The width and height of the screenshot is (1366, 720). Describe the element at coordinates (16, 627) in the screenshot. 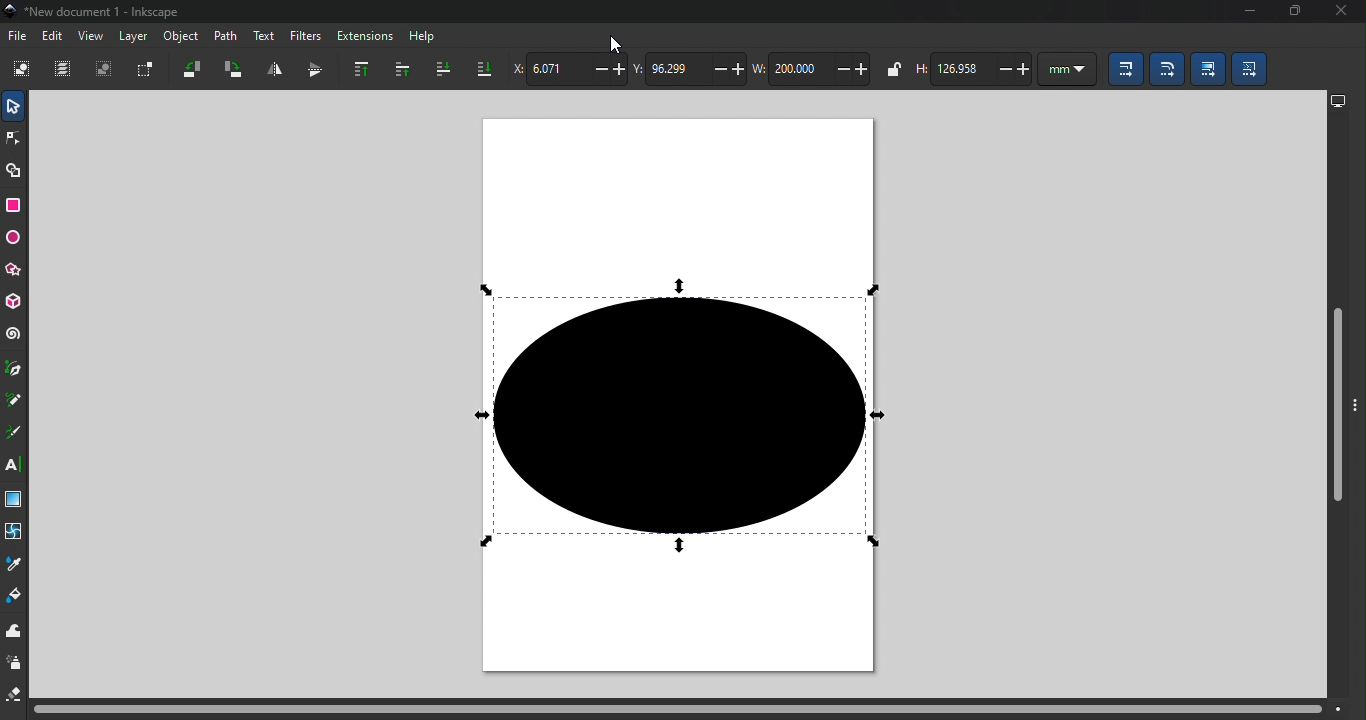

I see `tweak tool` at that location.